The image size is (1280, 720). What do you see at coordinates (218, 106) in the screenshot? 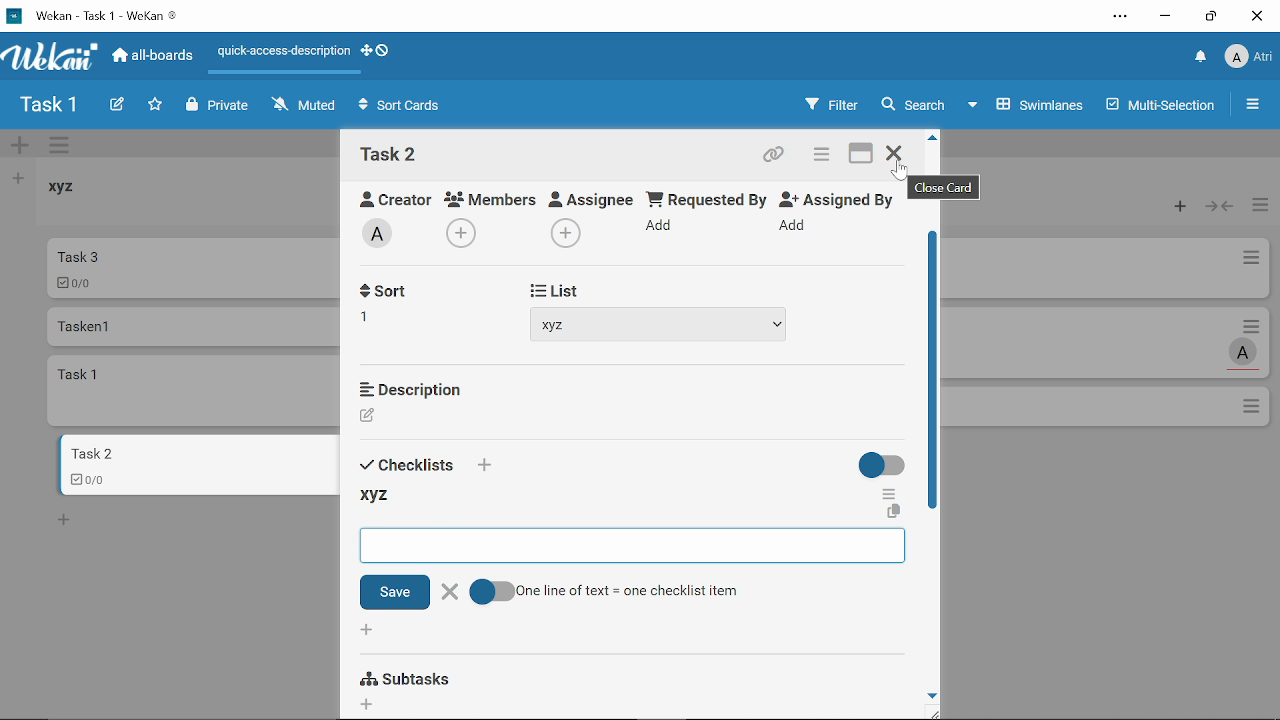
I see `Private` at bounding box center [218, 106].